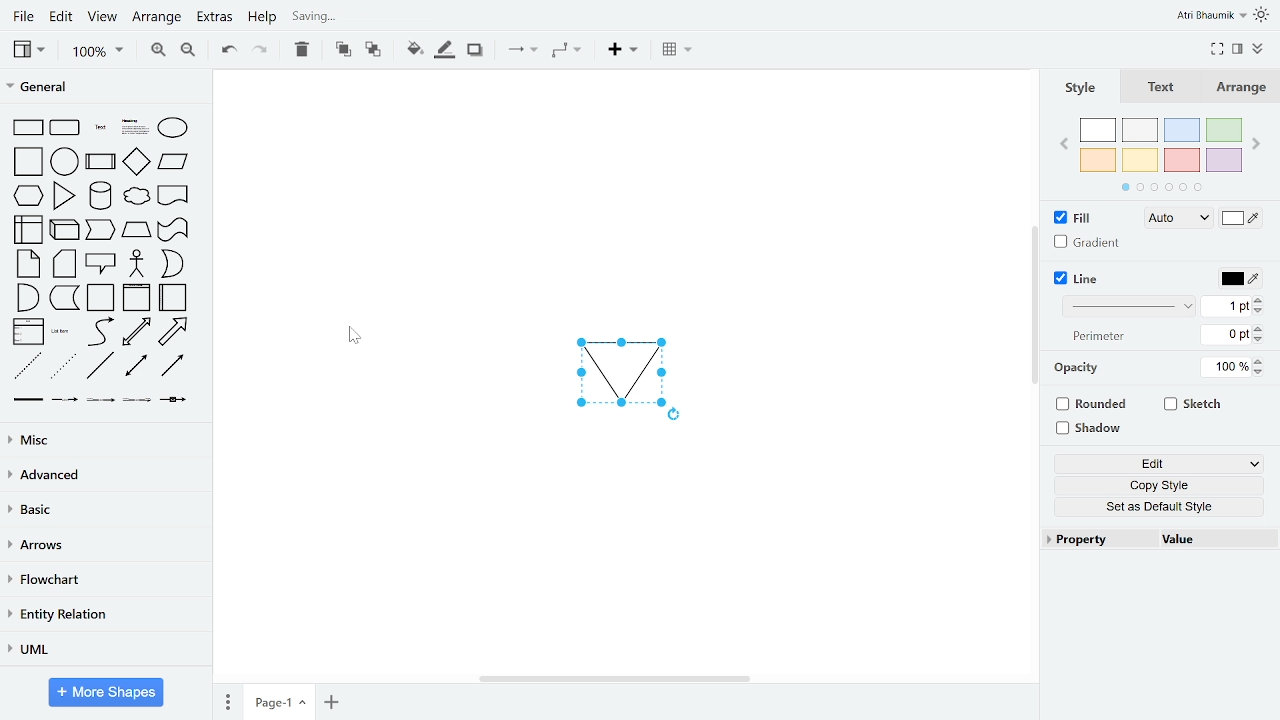 This screenshot has width=1280, height=720. I want to click on connector with 2 label, so click(101, 402).